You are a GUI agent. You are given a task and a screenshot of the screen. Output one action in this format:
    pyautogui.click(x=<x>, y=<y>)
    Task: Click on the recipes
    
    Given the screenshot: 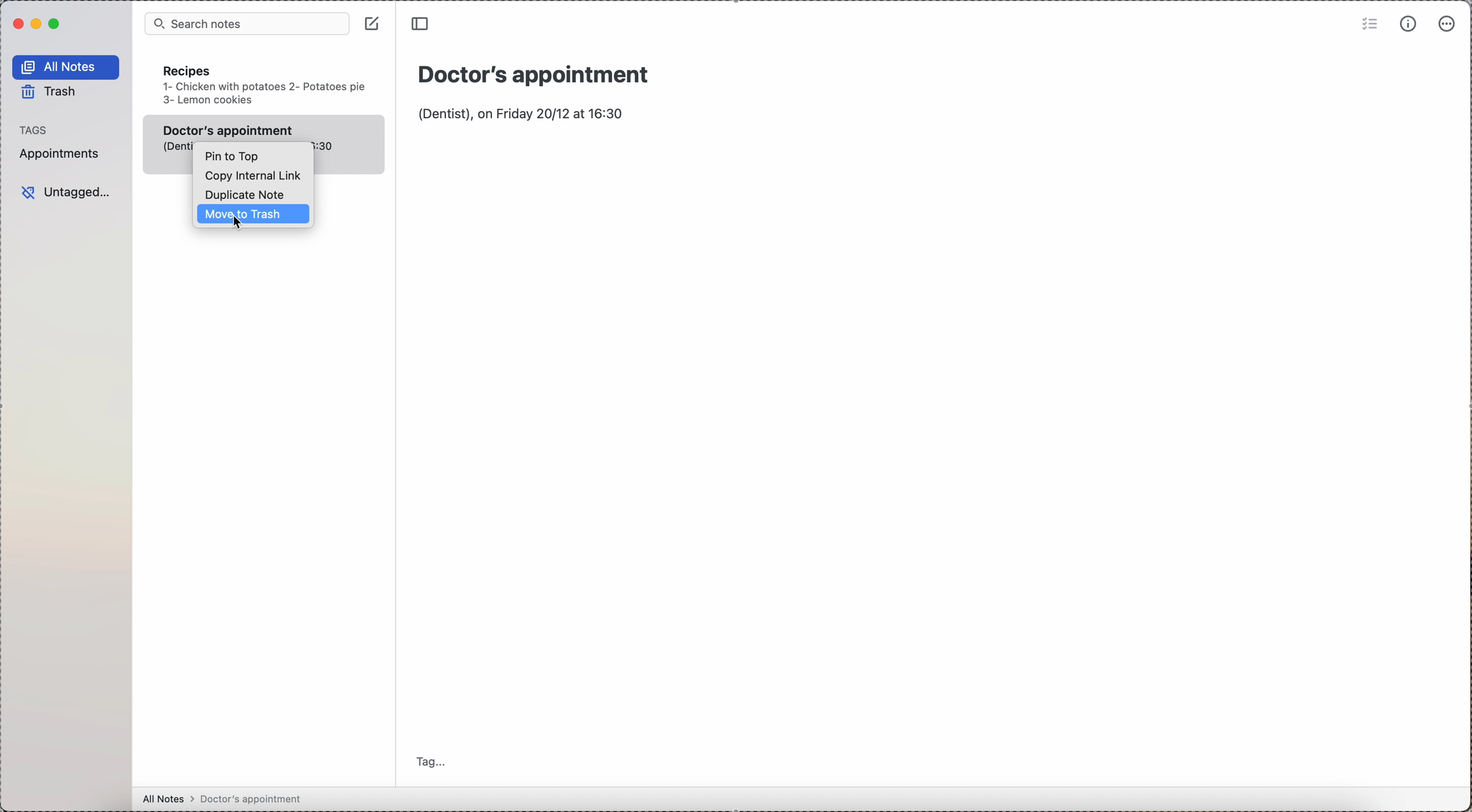 What is the action you would take?
    pyautogui.click(x=187, y=71)
    